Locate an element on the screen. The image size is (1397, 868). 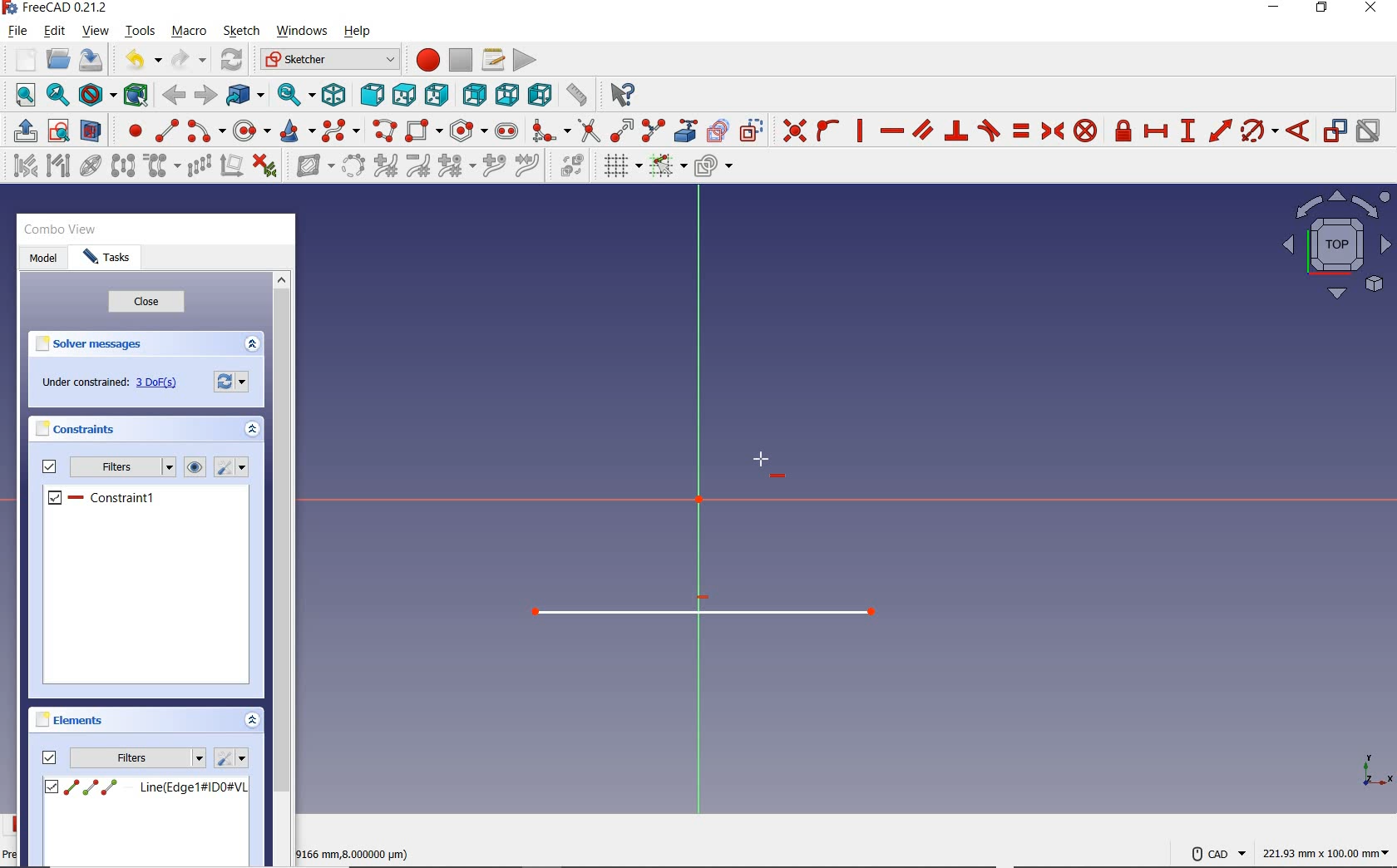
CLONE is located at coordinates (159, 166).